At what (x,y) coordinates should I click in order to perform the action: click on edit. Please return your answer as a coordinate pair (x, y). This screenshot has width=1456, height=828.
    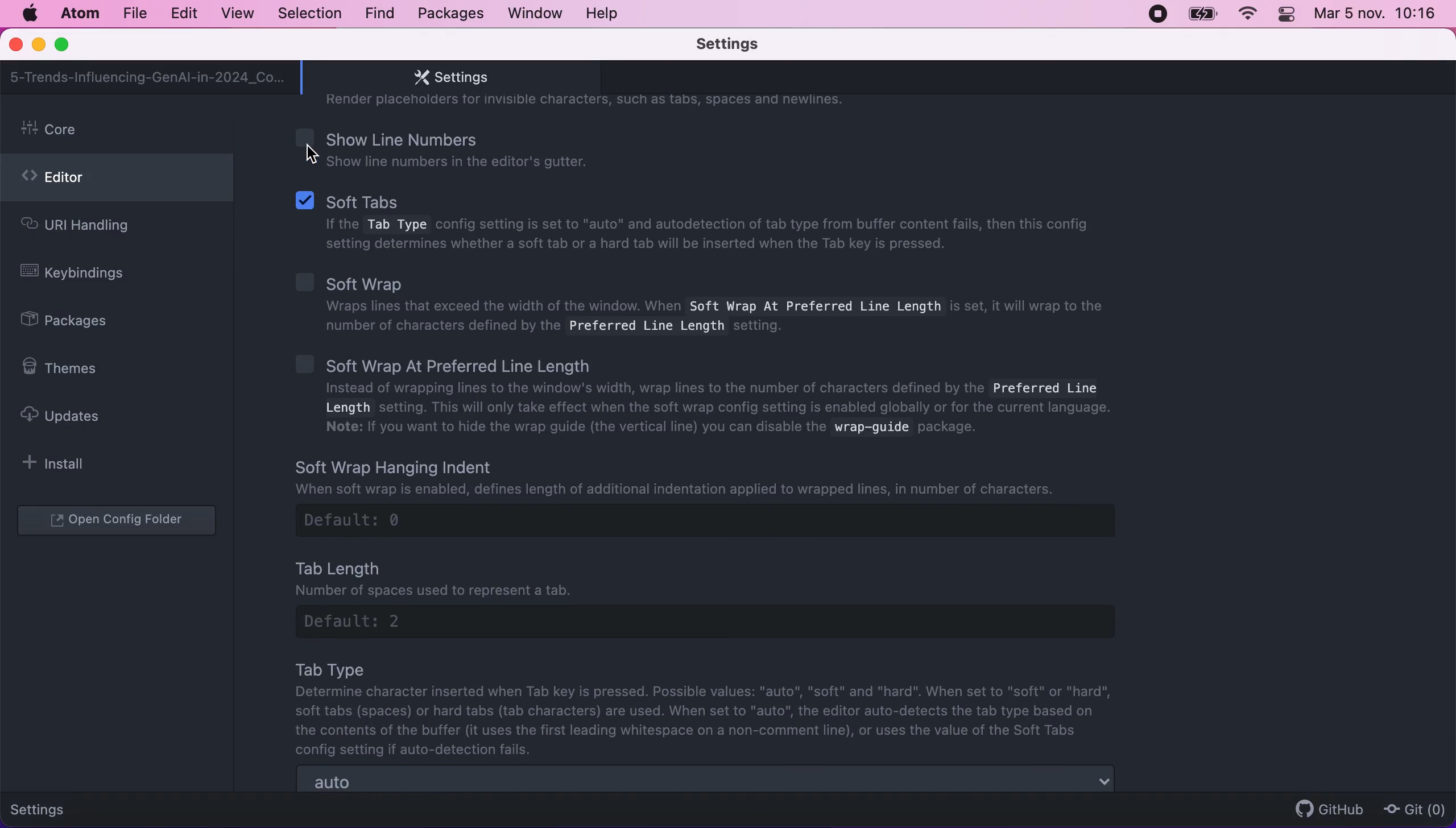
    Looking at the image, I should click on (183, 14).